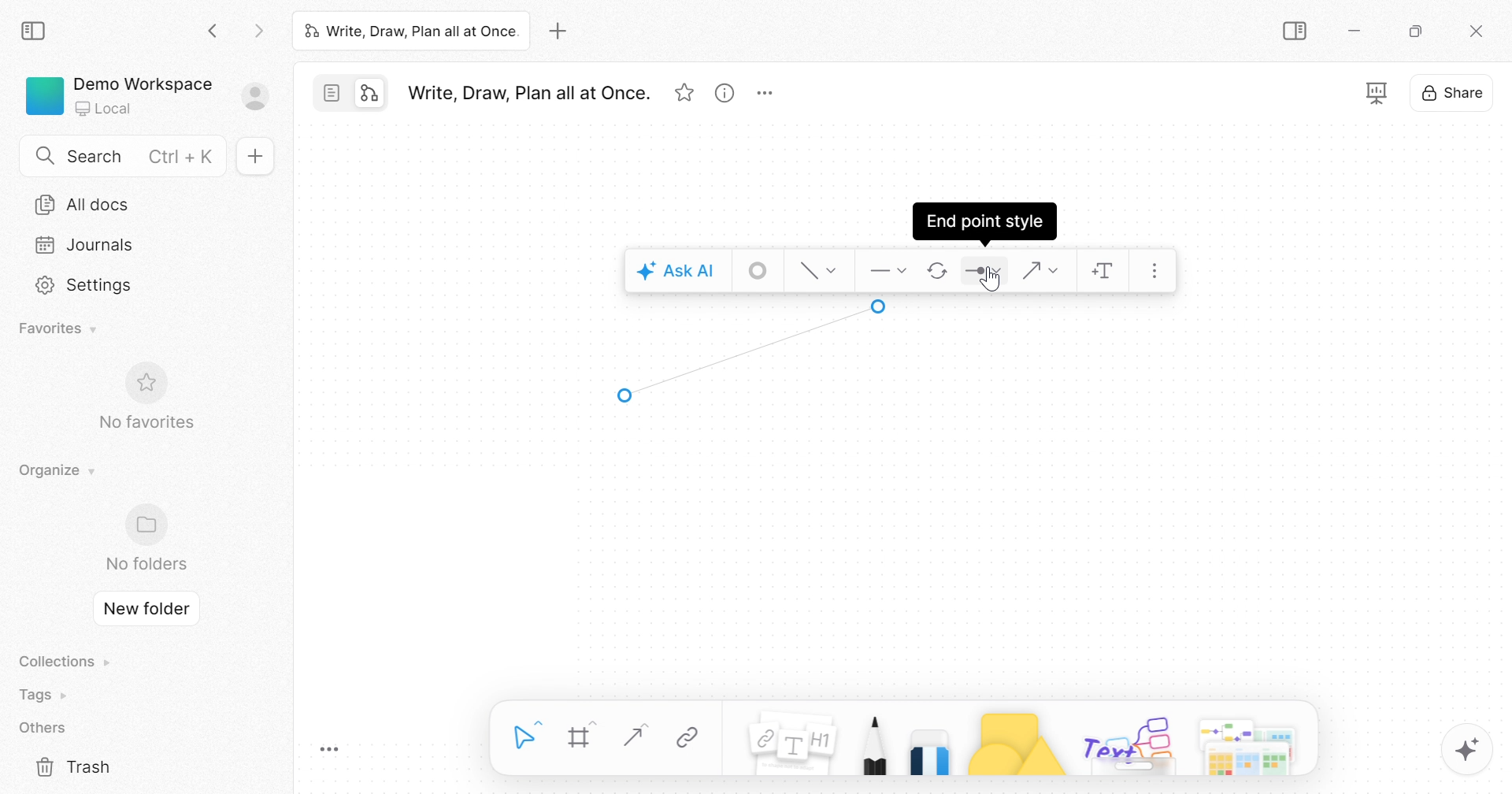  Describe the element at coordinates (105, 109) in the screenshot. I see `Local` at that location.